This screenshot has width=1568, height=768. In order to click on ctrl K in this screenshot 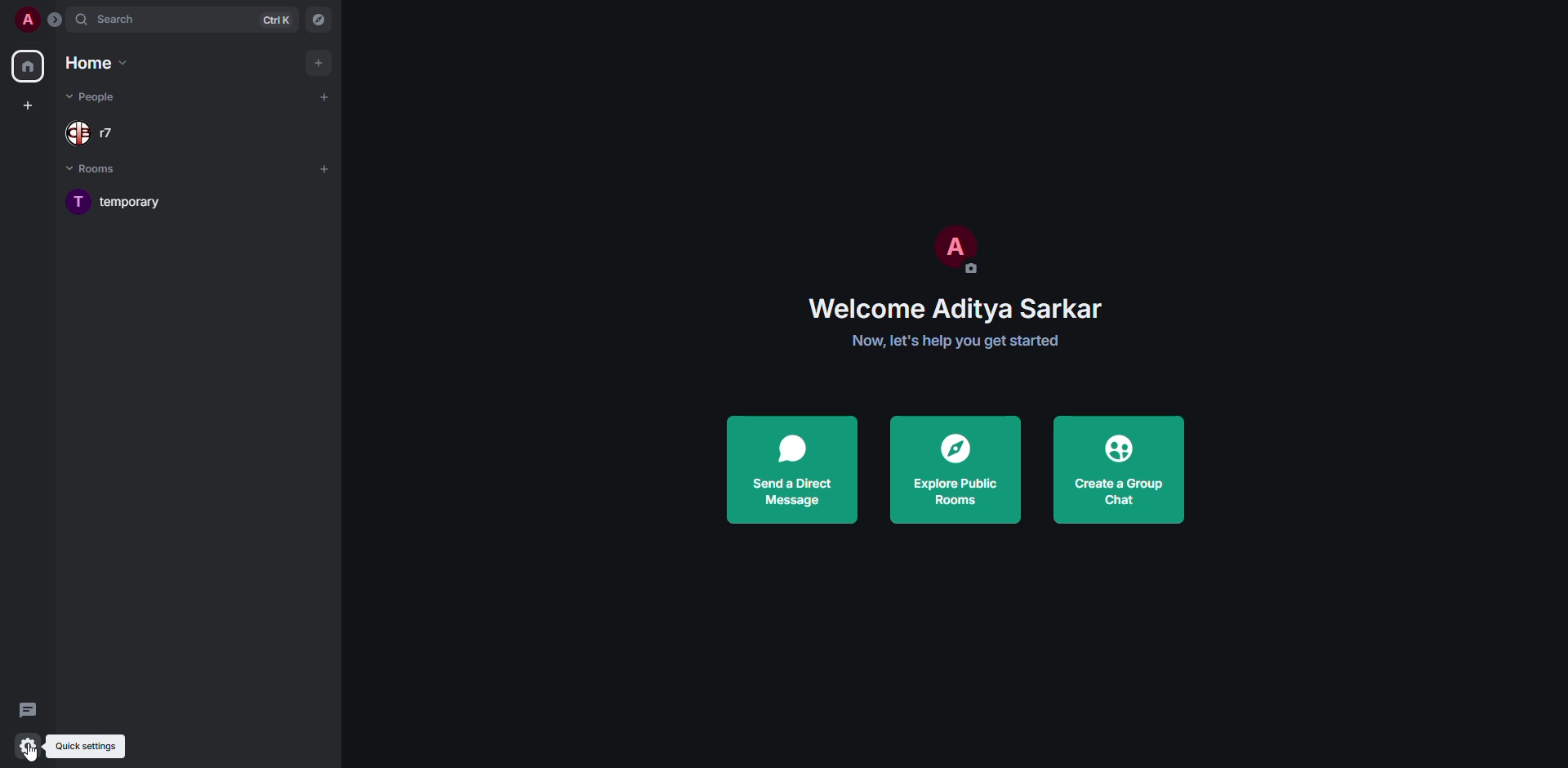, I will do `click(275, 19)`.